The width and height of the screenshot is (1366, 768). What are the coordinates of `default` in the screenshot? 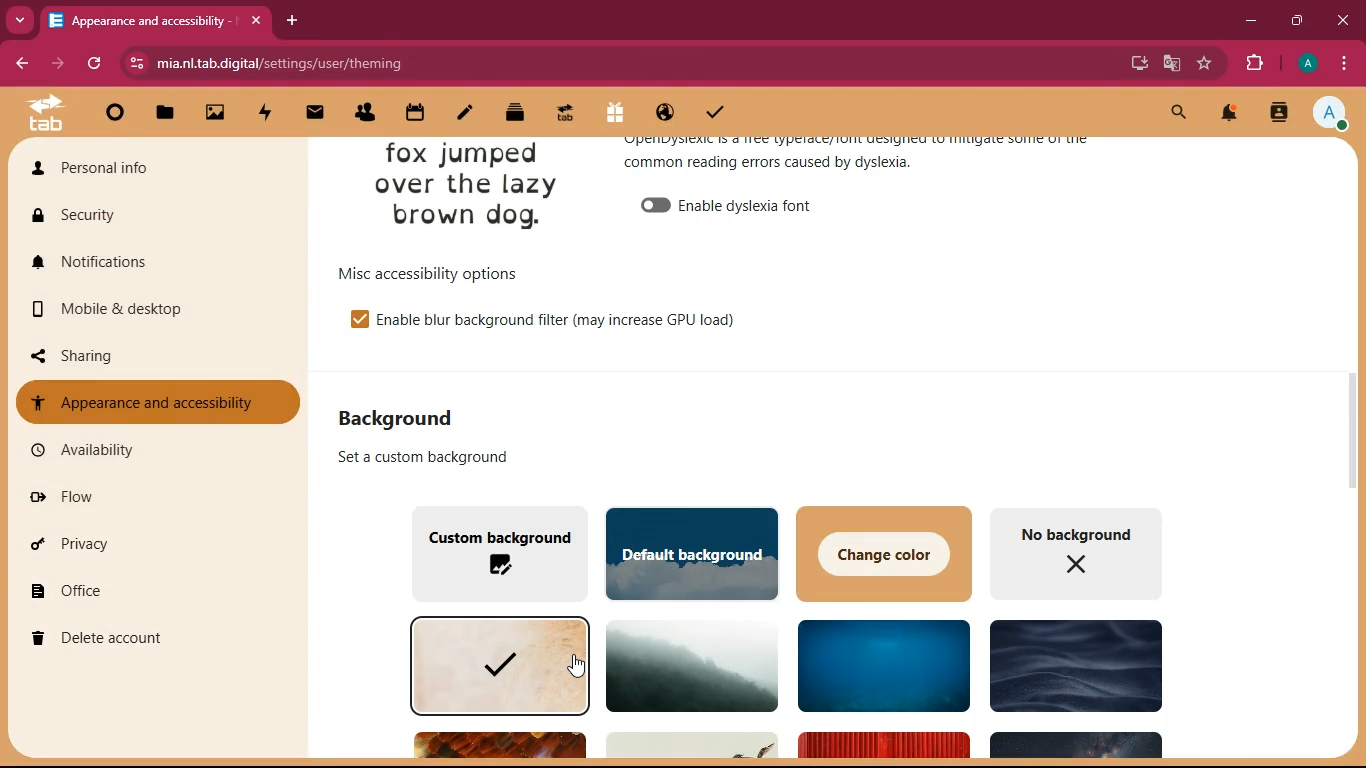 It's located at (689, 549).